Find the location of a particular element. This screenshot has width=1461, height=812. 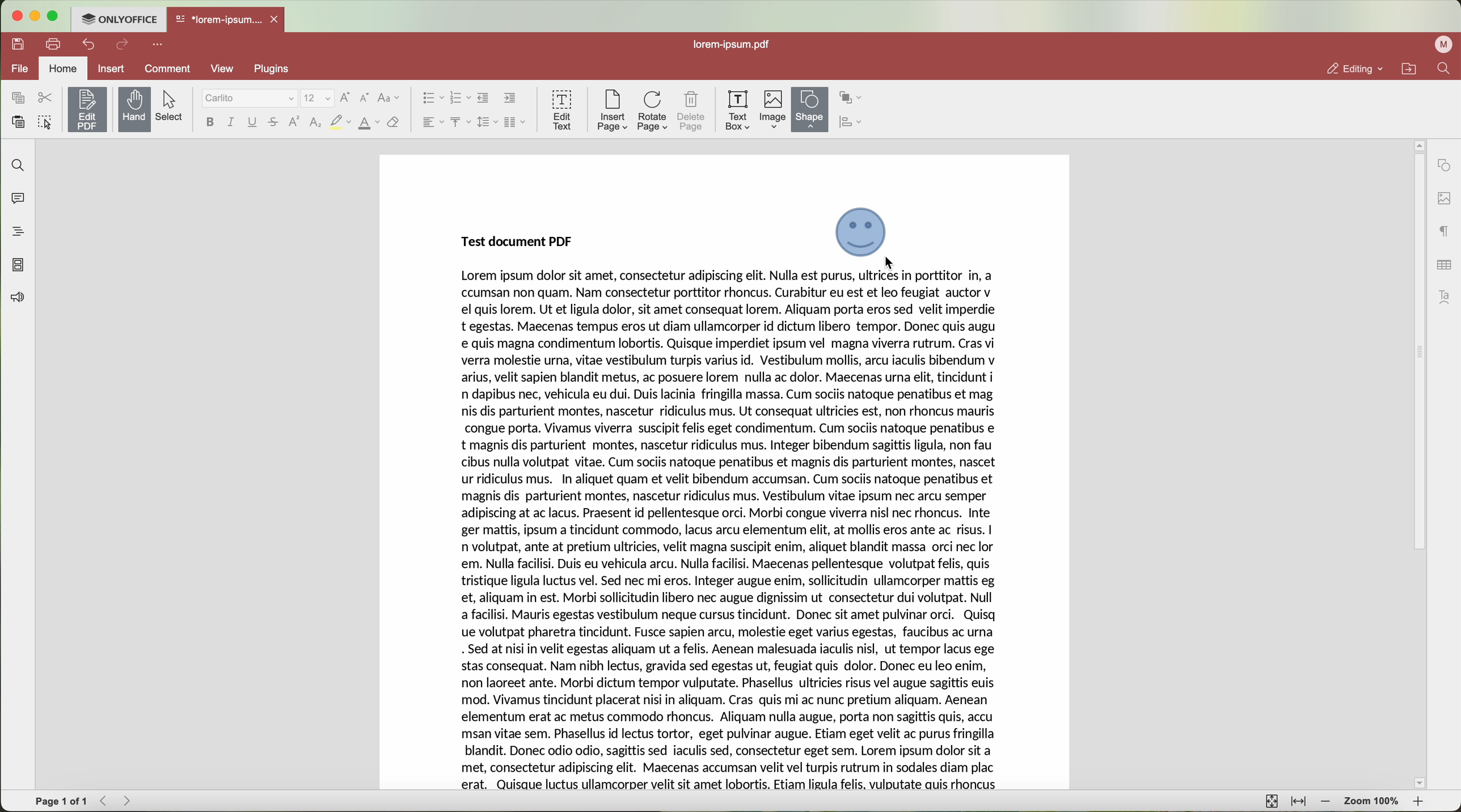

view is located at coordinates (222, 67).